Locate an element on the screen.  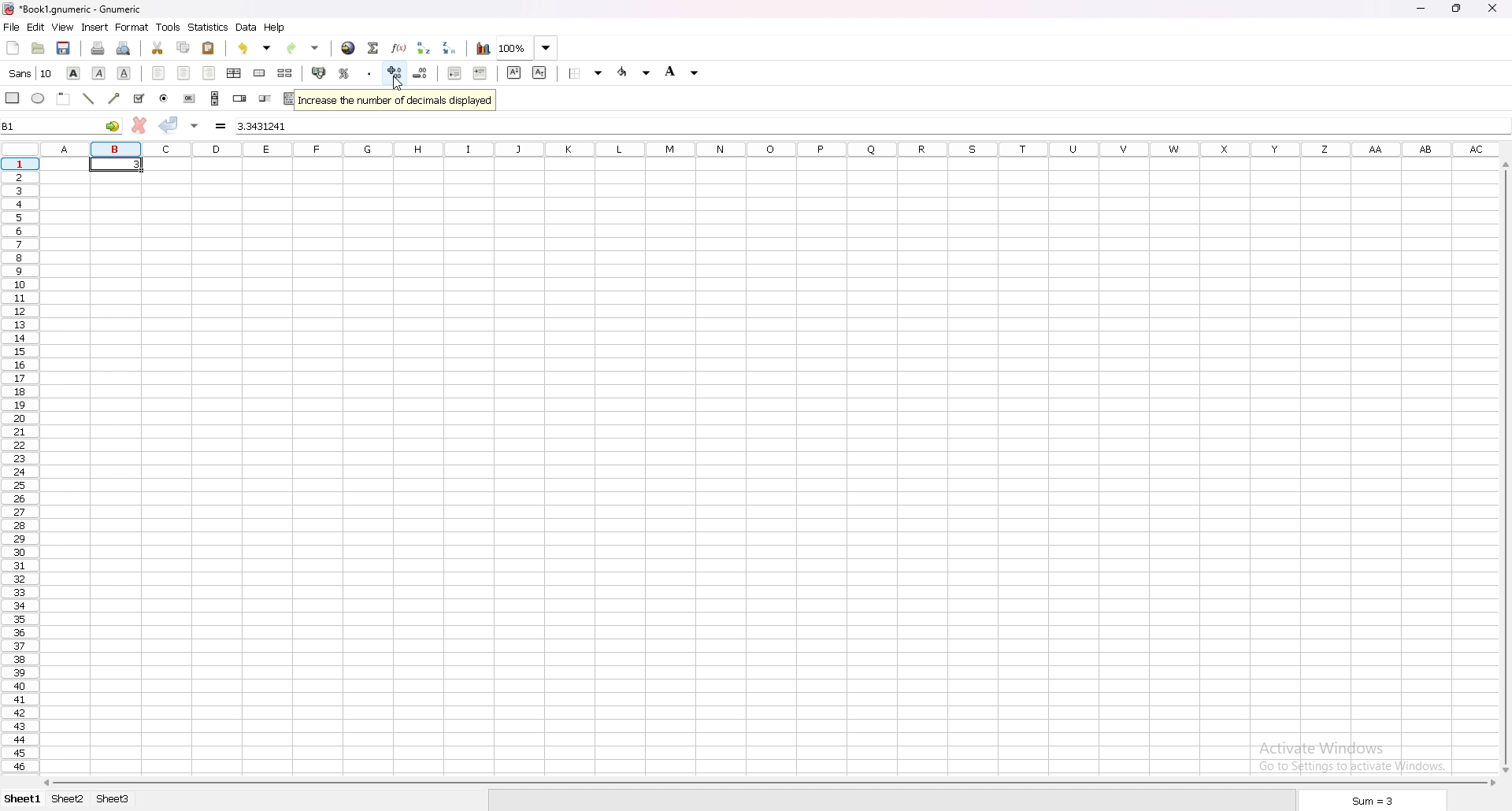
format is located at coordinates (132, 27).